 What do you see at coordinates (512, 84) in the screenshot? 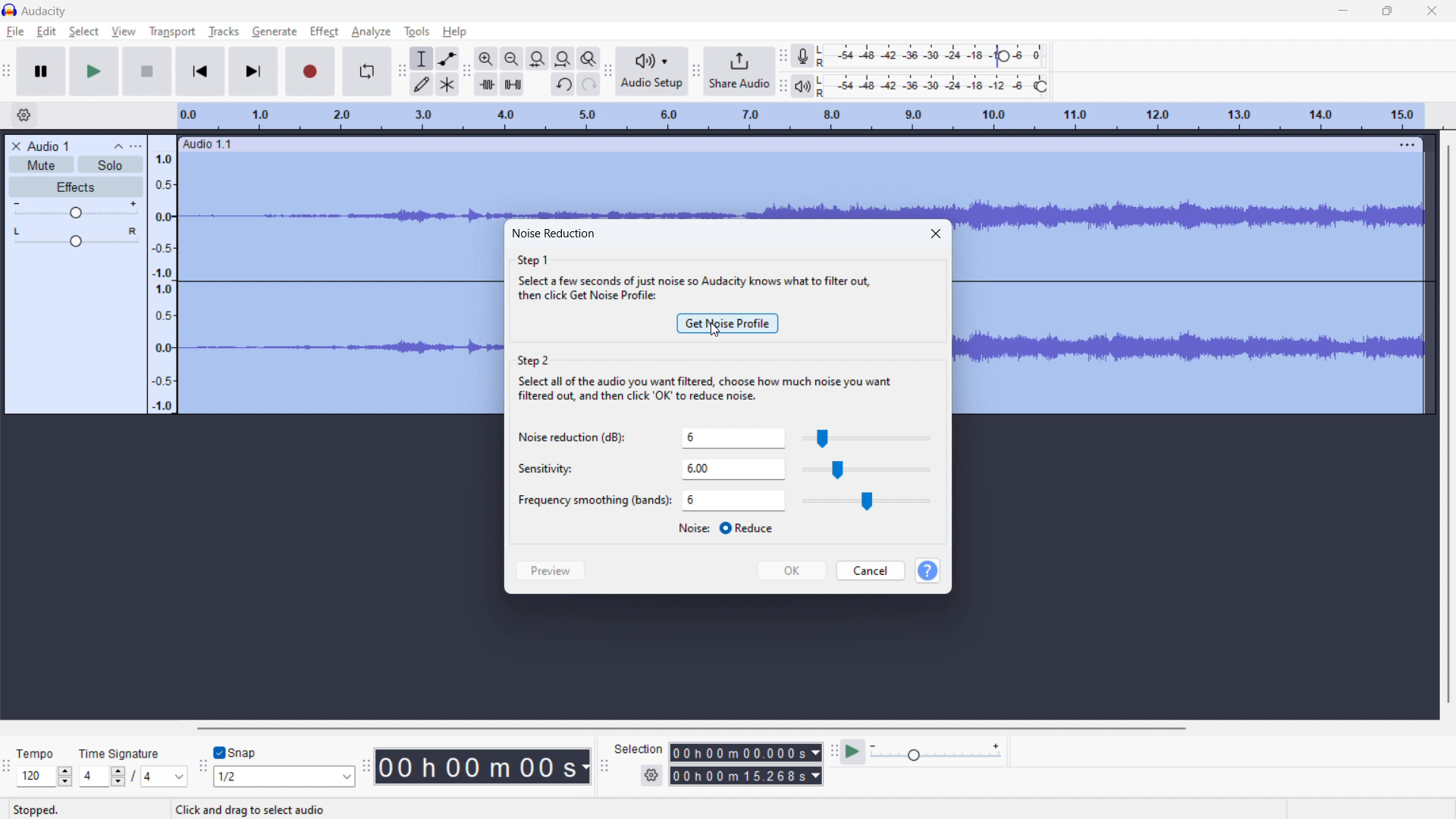
I see `silence selection` at bounding box center [512, 84].